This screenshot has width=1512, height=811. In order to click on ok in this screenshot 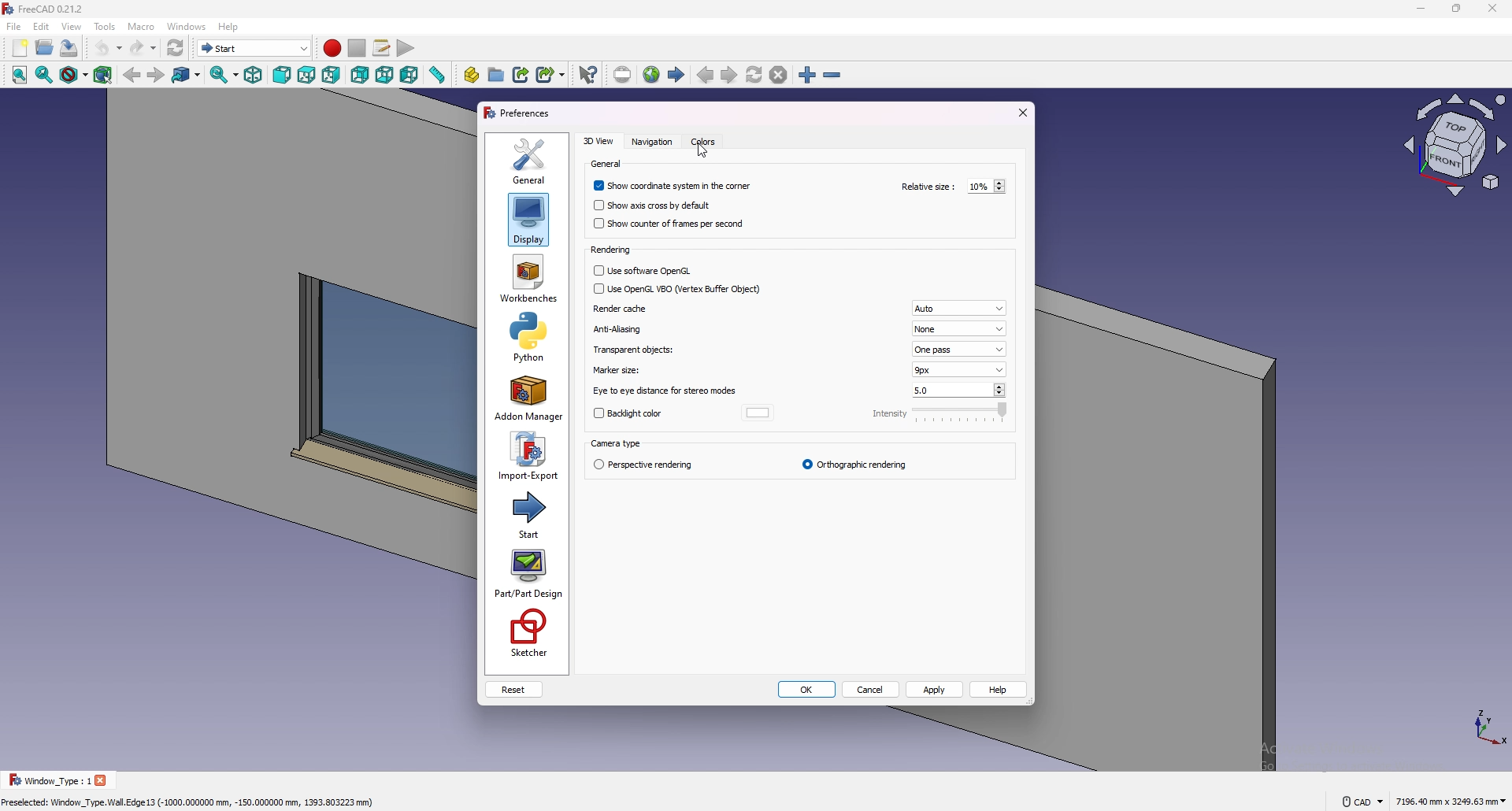, I will do `click(807, 691)`.